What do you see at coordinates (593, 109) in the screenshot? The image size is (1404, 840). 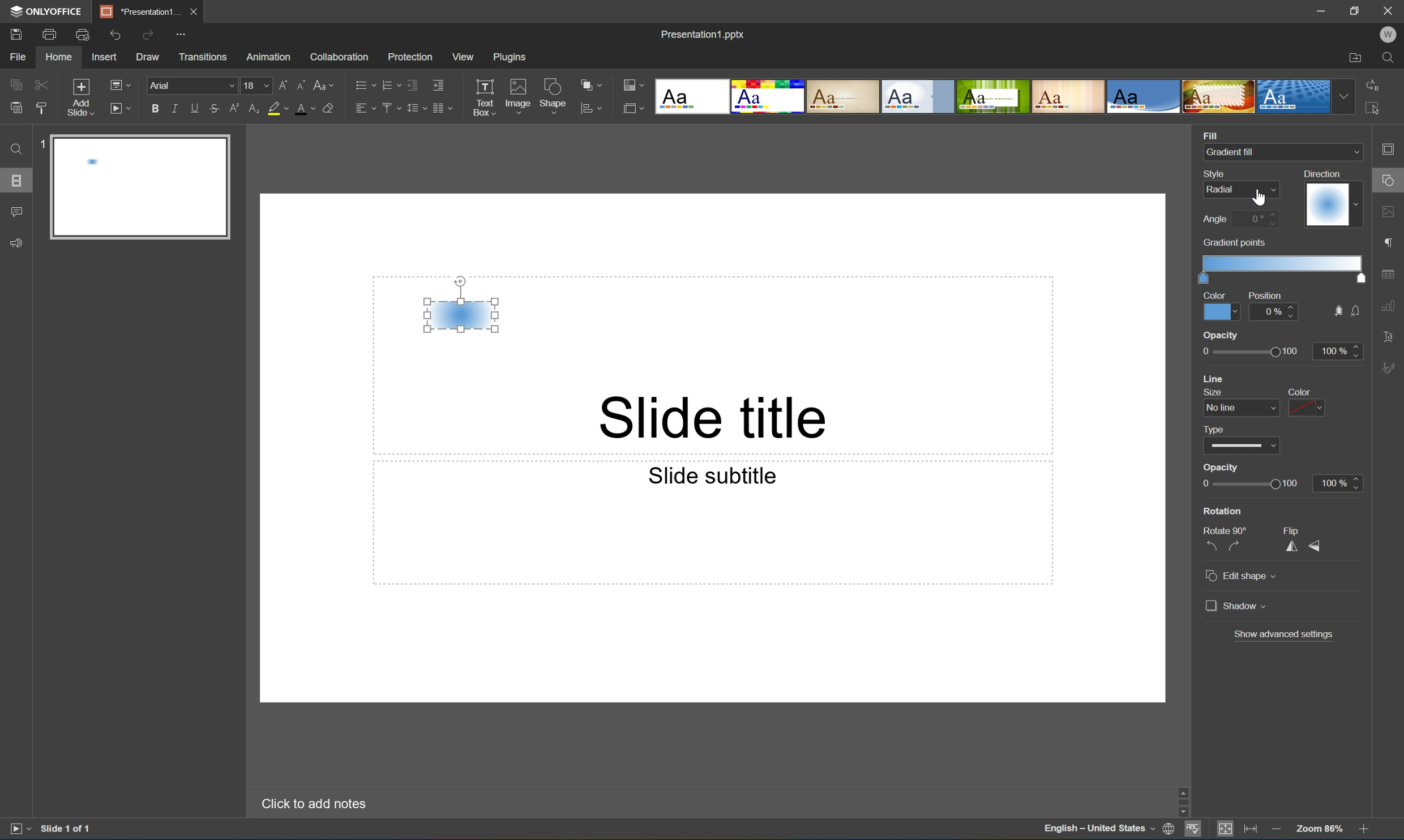 I see `align shape` at bounding box center [593, 109].